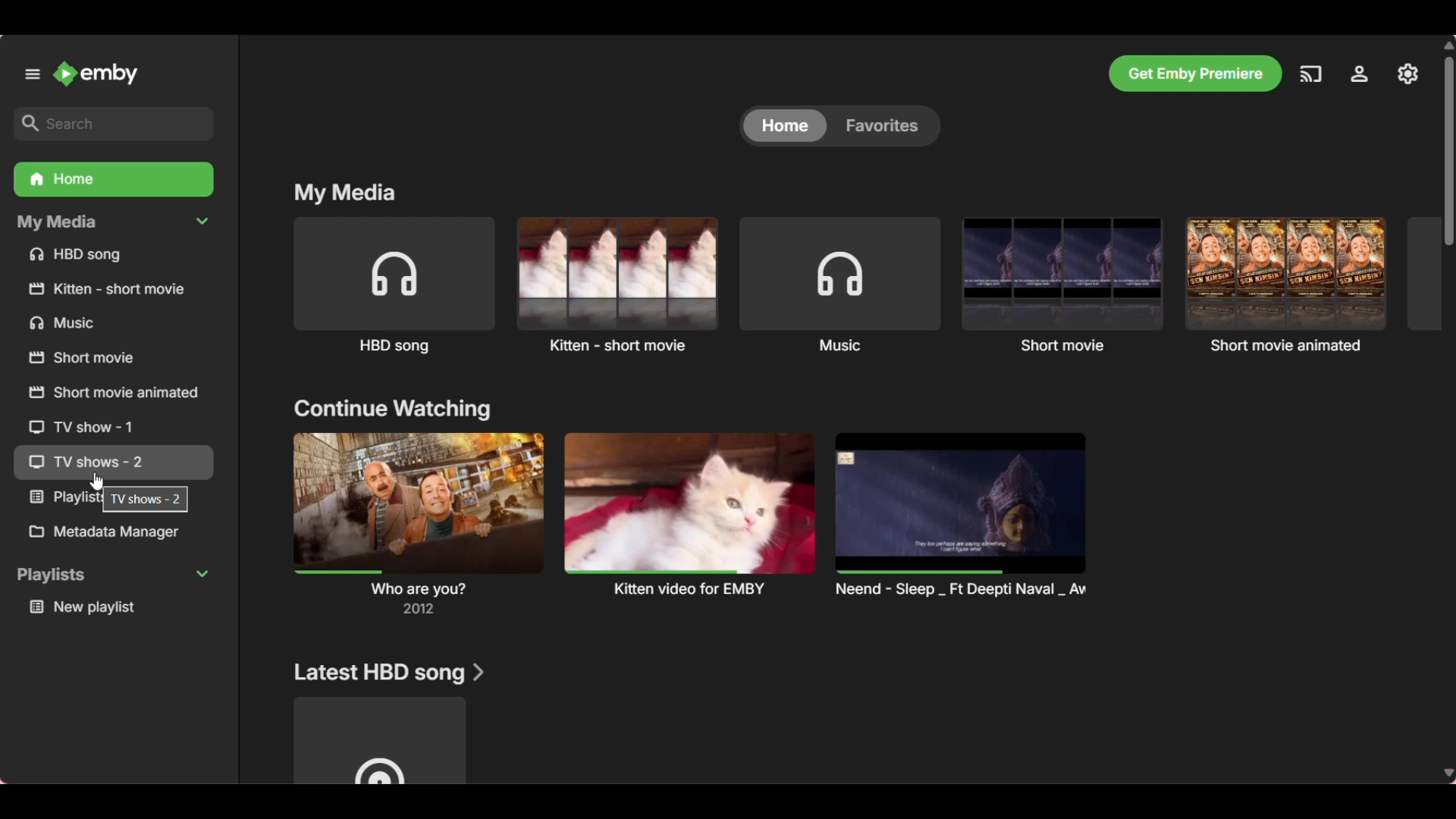 The width and height of the screenshot is (1456, 819). What do you see at coordinates (1449, 150) in the screenshot?
I see `Vertical slide bar` at bounding box center [1449, 150].